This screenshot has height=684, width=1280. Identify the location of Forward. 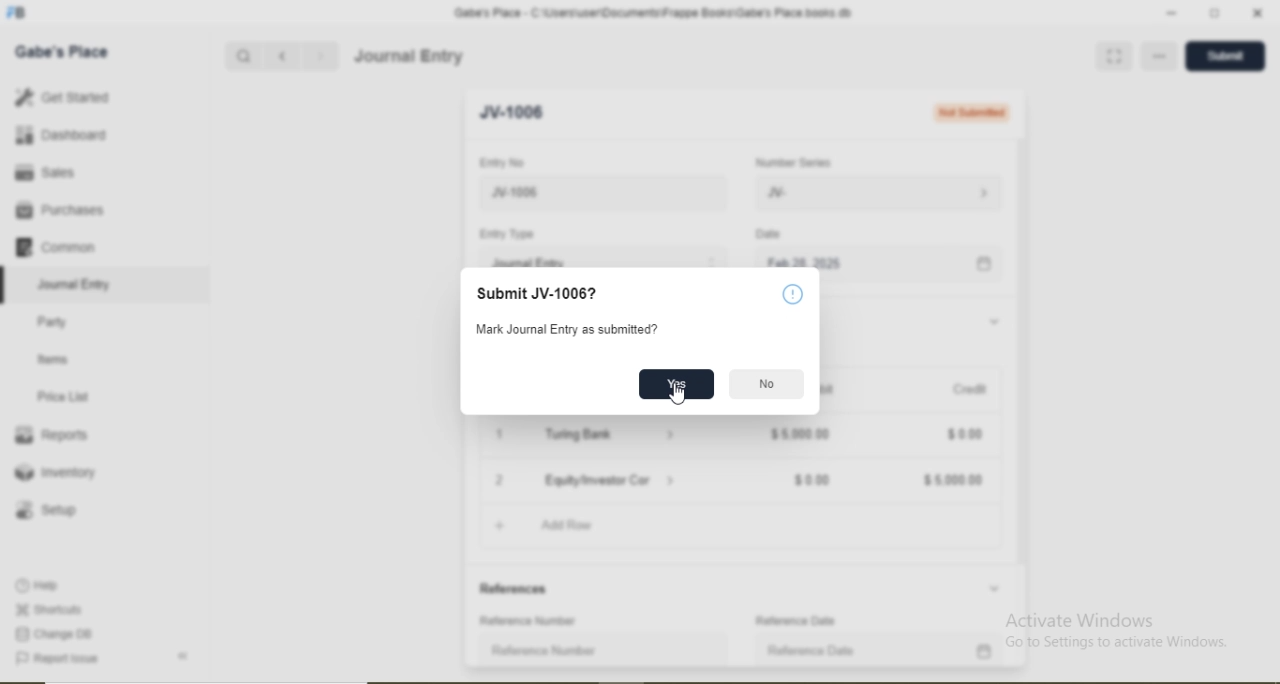
(321, 56).